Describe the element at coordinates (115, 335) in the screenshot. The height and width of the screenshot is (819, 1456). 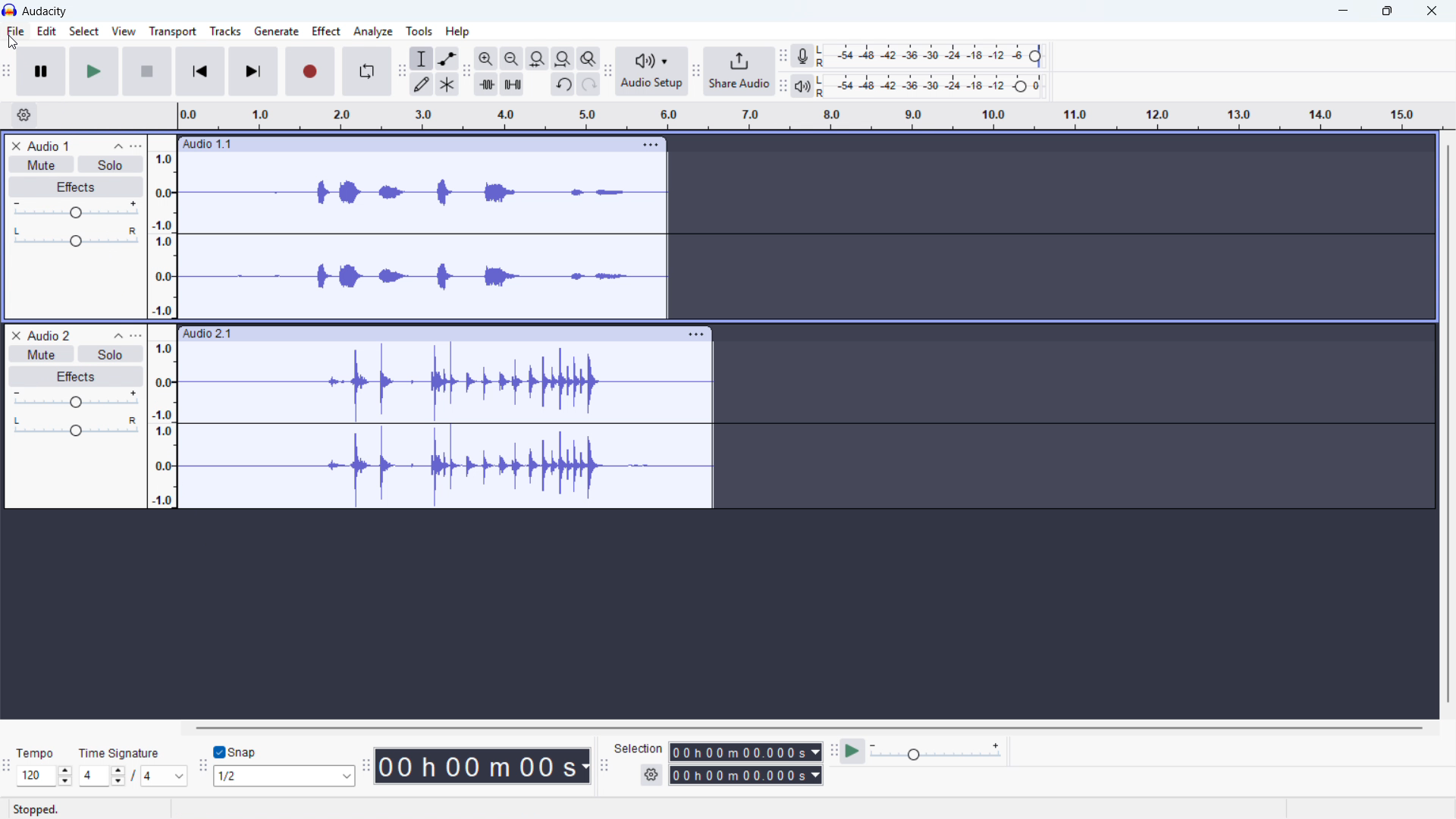
I see `Collapse ` at that location.